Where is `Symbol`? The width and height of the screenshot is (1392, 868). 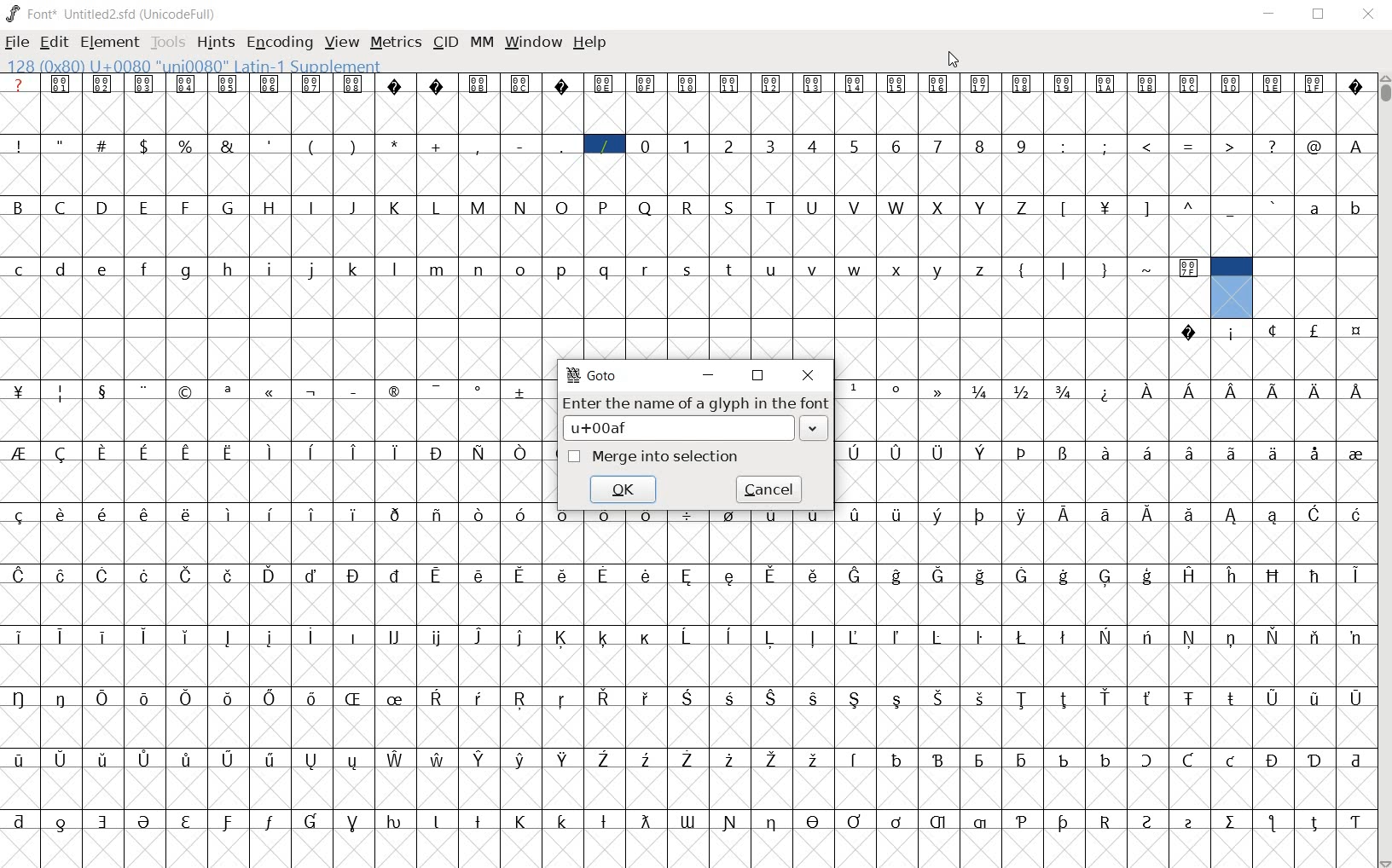 Symbol is located at coordinates (937, 451).